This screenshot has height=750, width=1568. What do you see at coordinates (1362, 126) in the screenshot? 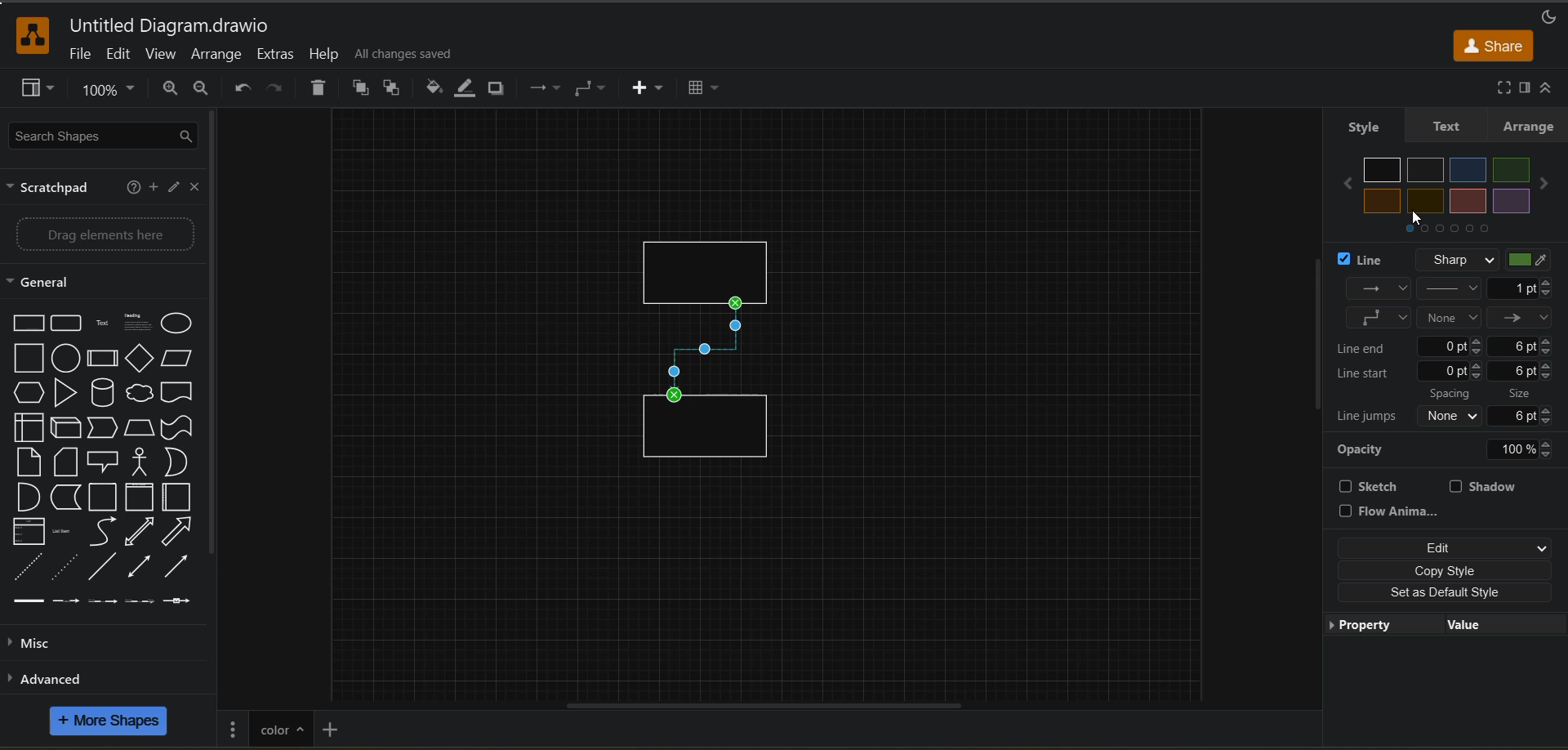
I see `style` at bounding box center [1362, 126].